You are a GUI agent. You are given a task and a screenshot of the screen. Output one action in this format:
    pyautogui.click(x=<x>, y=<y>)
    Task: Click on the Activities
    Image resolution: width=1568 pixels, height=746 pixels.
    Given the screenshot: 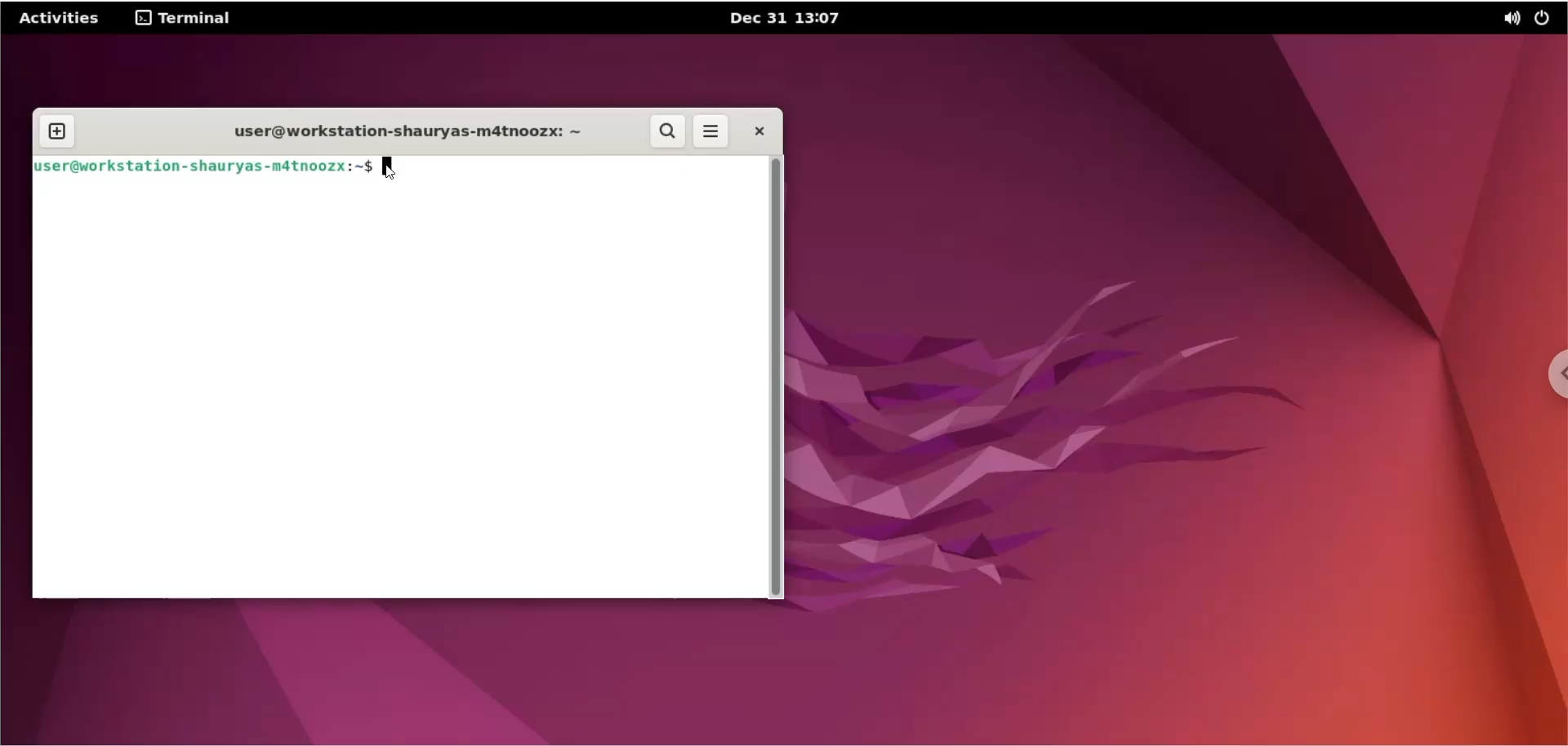 What is the action you would take?
    pyautogui.click(x=60, y=18)
    